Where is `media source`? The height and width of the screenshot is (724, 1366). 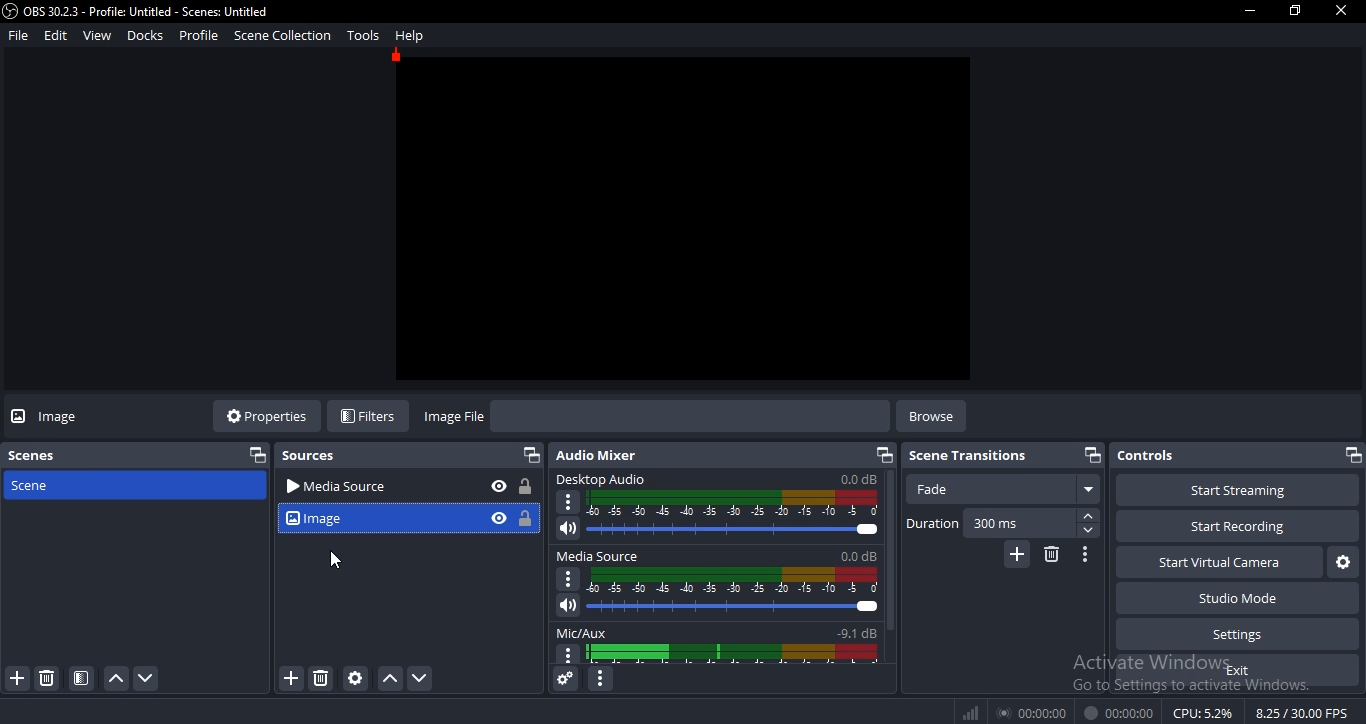
media source is located at coordinates (376, 488).